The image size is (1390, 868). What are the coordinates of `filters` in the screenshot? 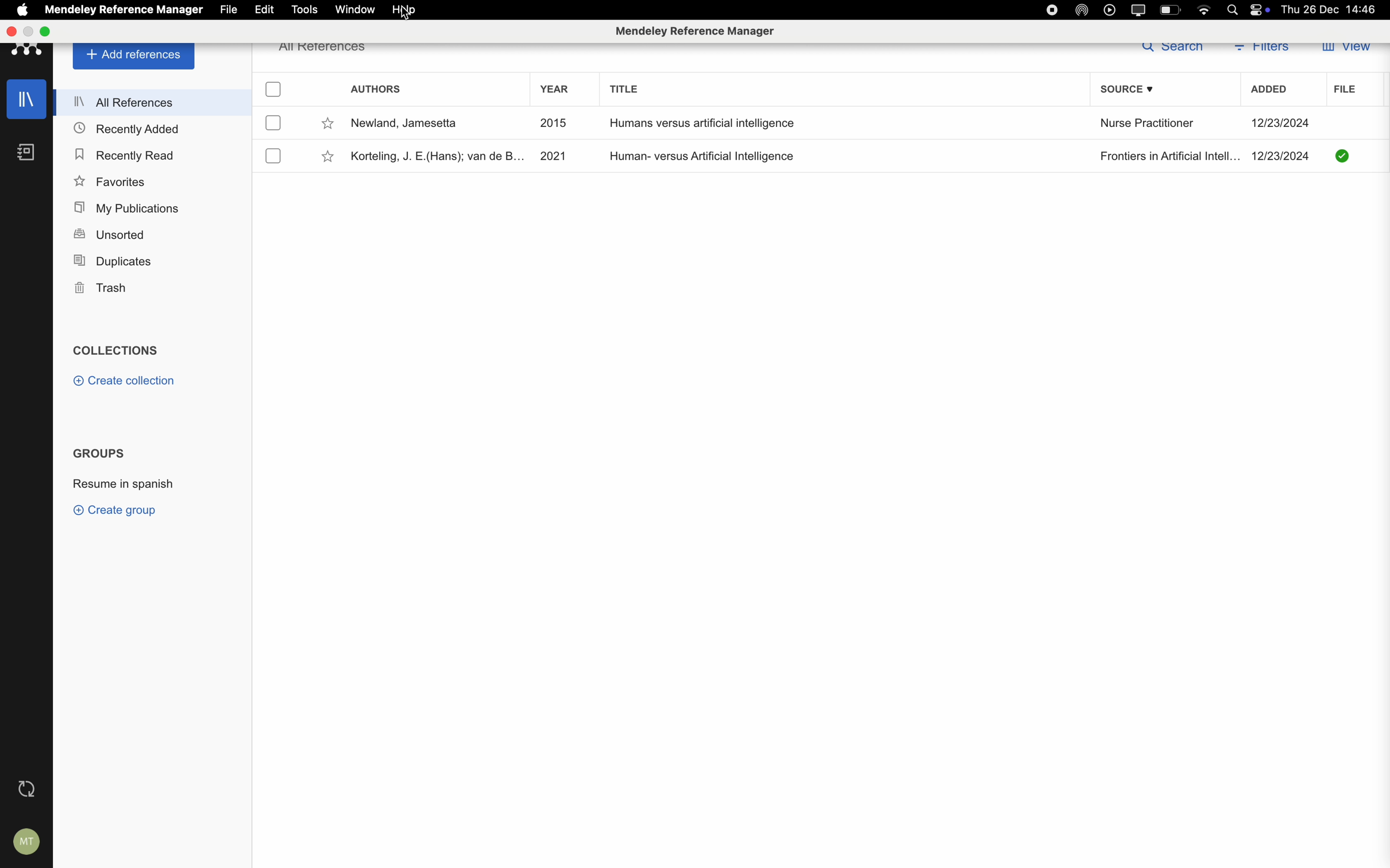 It's located at (1267, 51).